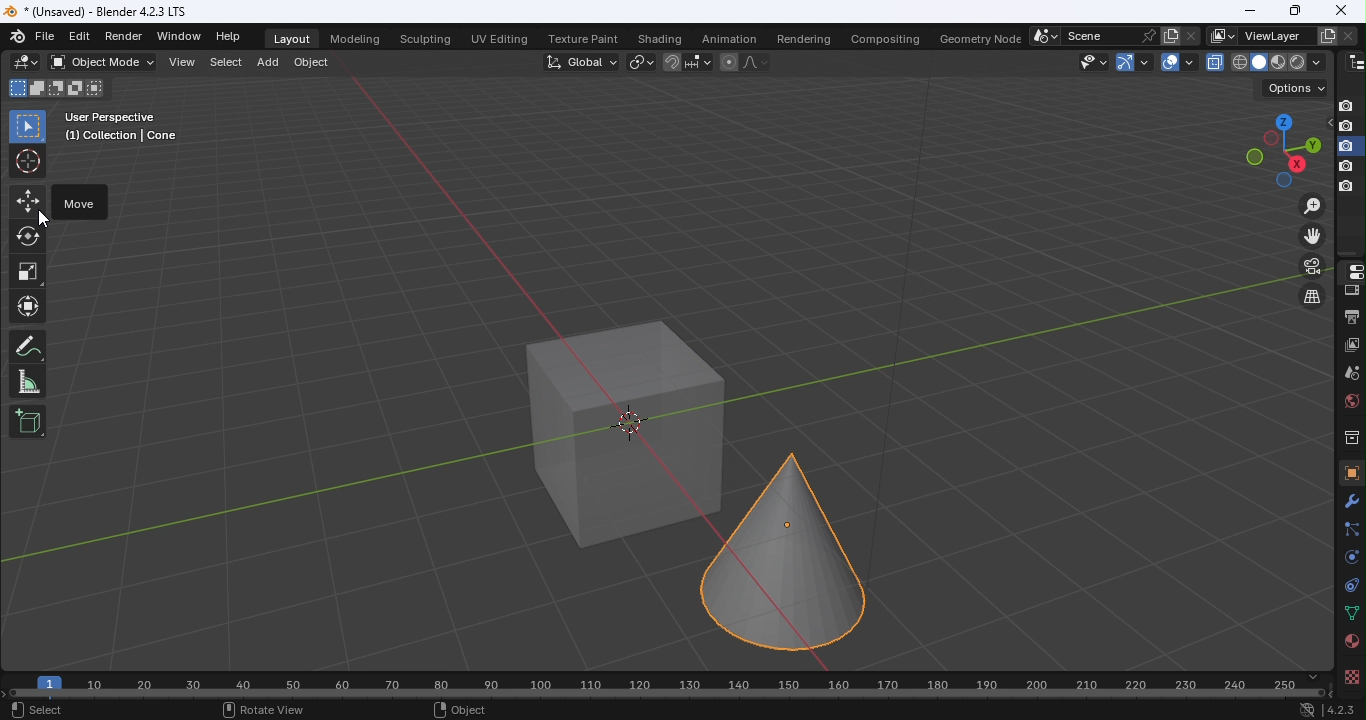 This screenshot has height=720, width=1366. I want to click on Roatate, so click(28, 234).